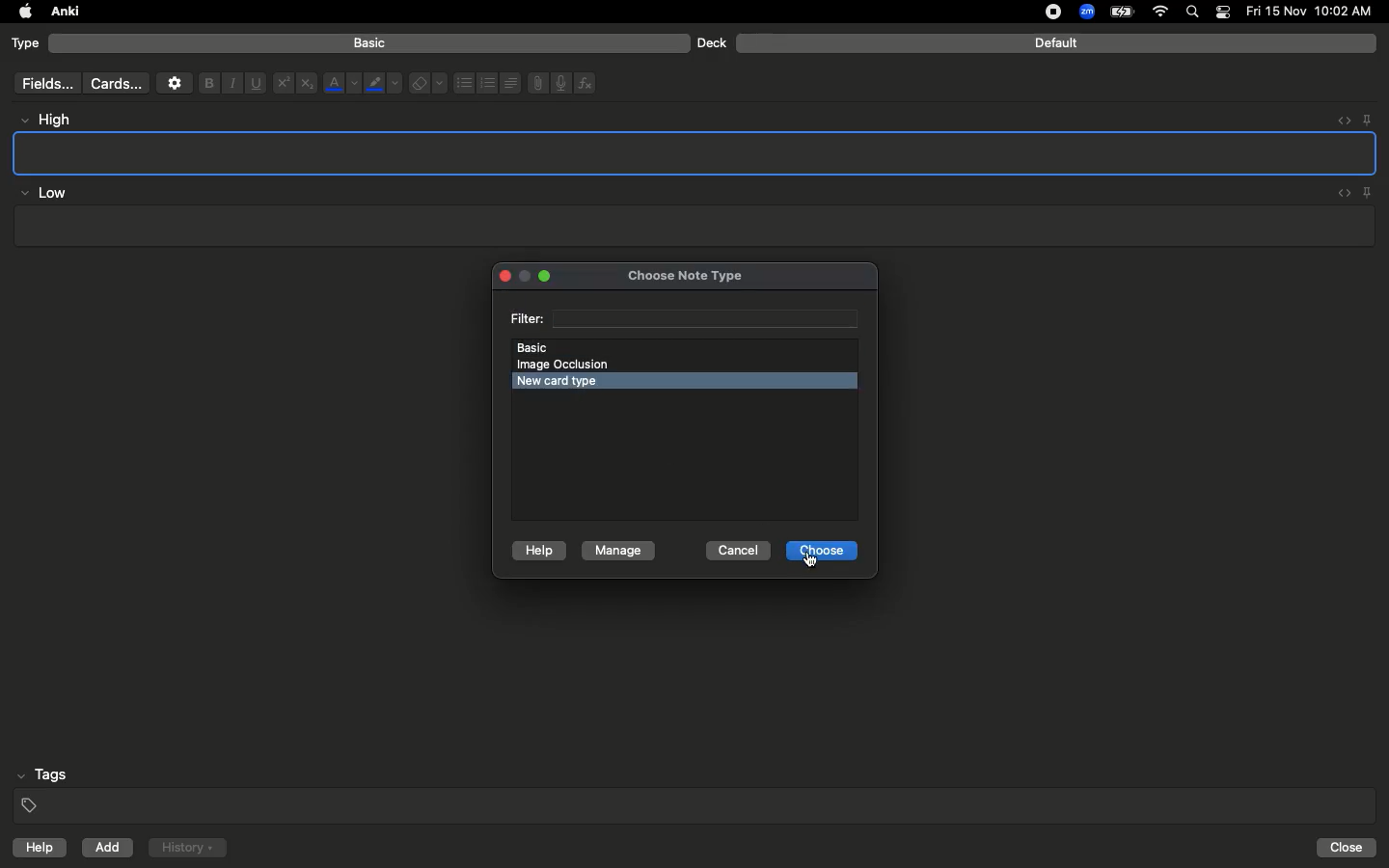  Describe the element at coordinates (1195, 13) in the screenshot. I see `Search` at that location.